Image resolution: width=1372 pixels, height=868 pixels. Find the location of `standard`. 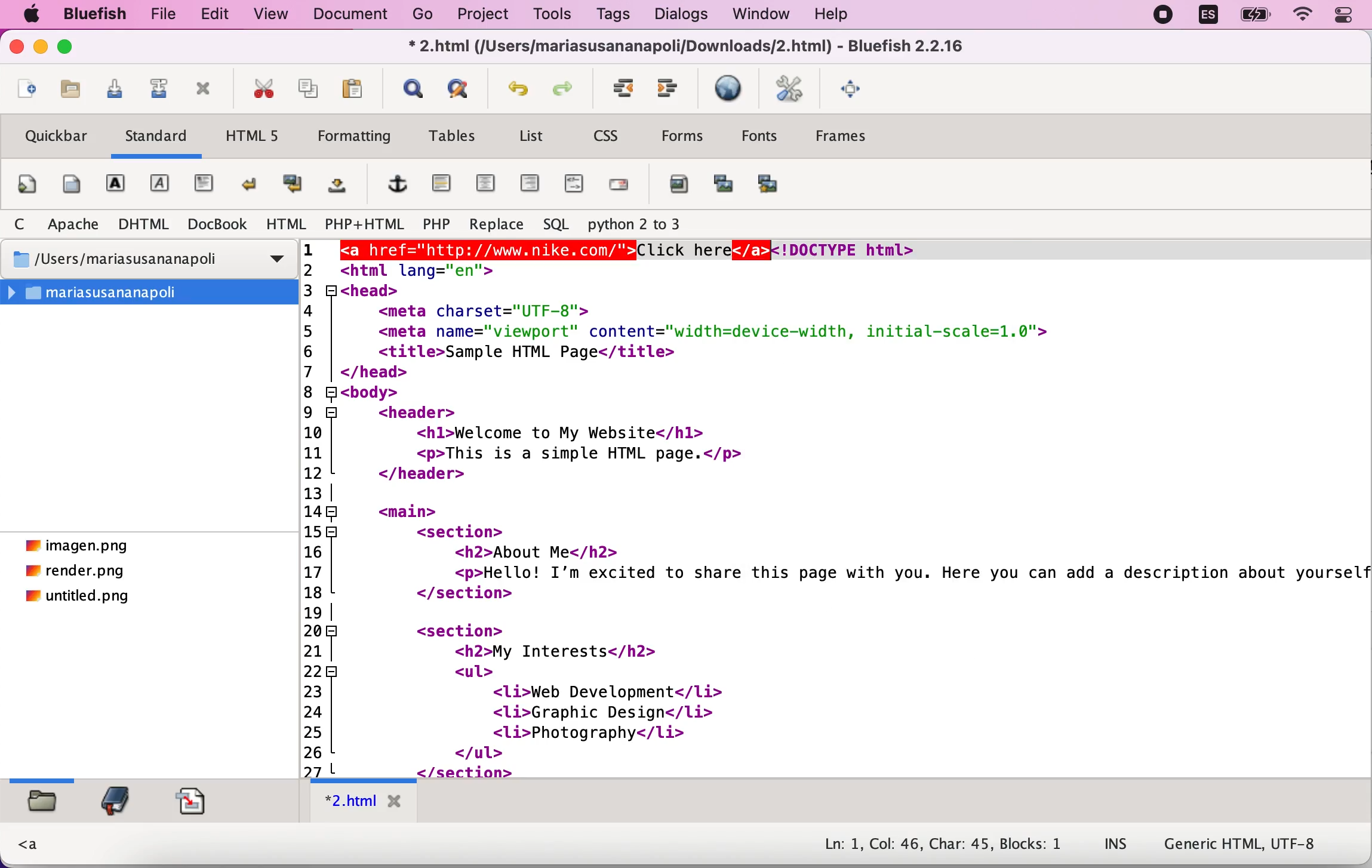

standard is located at coordinates (161, 136).